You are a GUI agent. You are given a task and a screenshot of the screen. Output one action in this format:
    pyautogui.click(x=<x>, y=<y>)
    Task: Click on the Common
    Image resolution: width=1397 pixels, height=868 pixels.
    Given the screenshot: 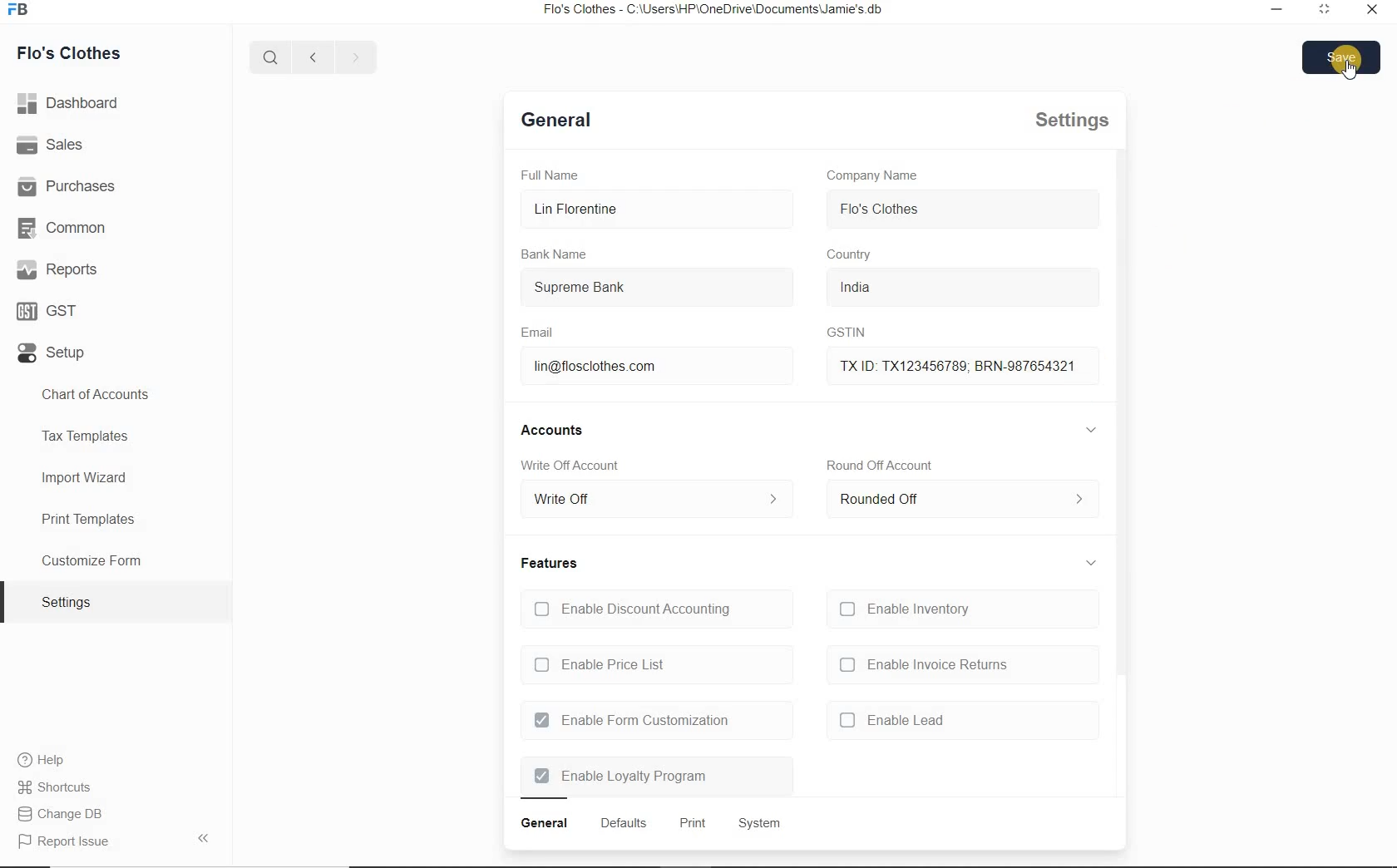 What is the action you would take?
    pyautogui.click(x=66, y=229)
    